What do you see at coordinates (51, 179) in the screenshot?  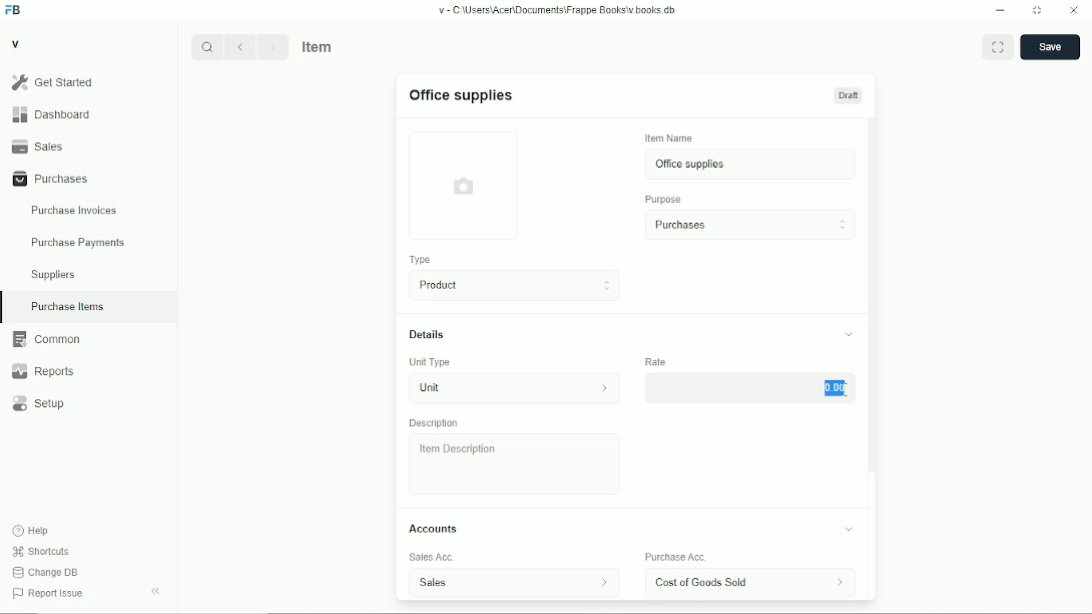 I see `purchases` at bounding box center [51, 179].